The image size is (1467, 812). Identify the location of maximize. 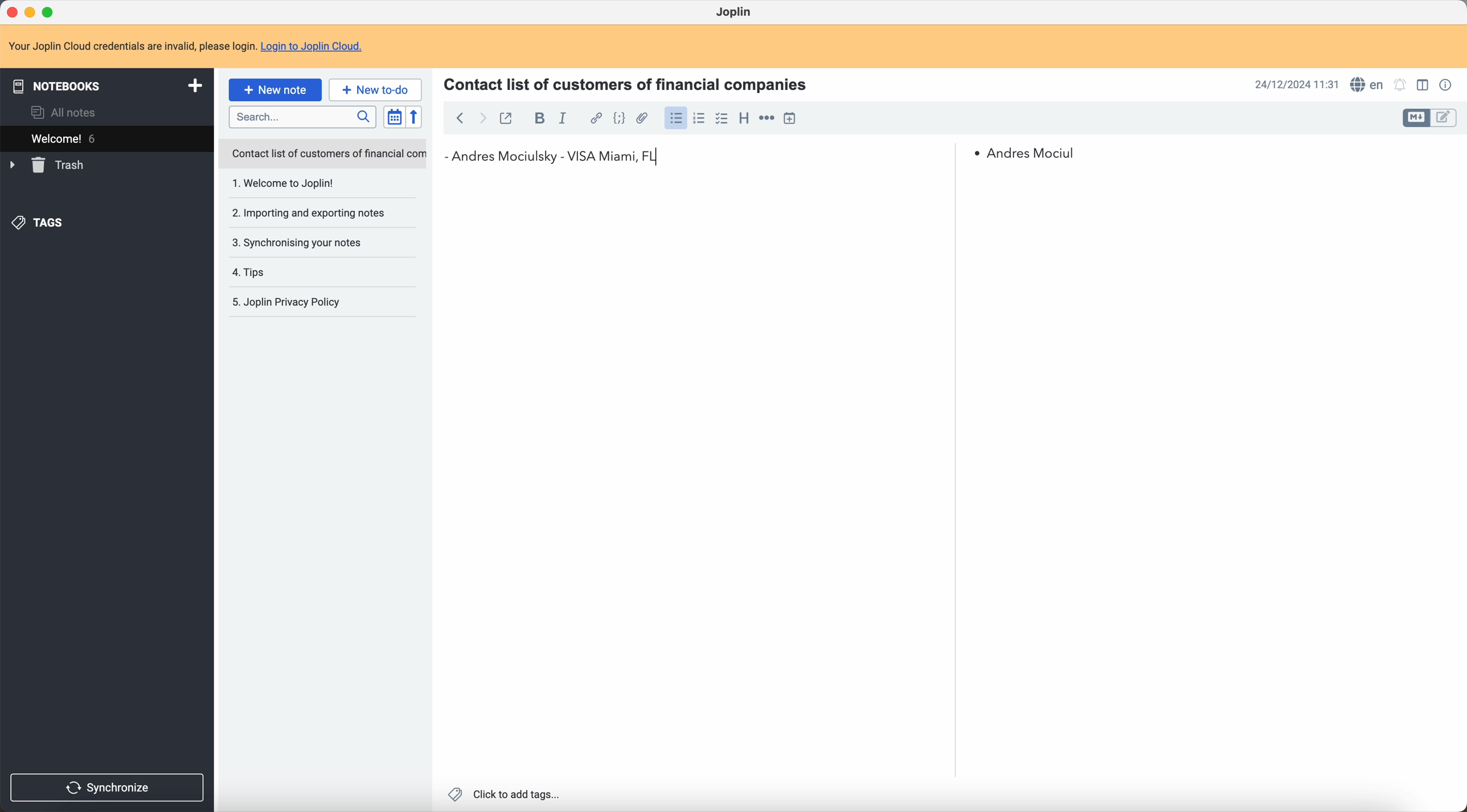
(51, 10).